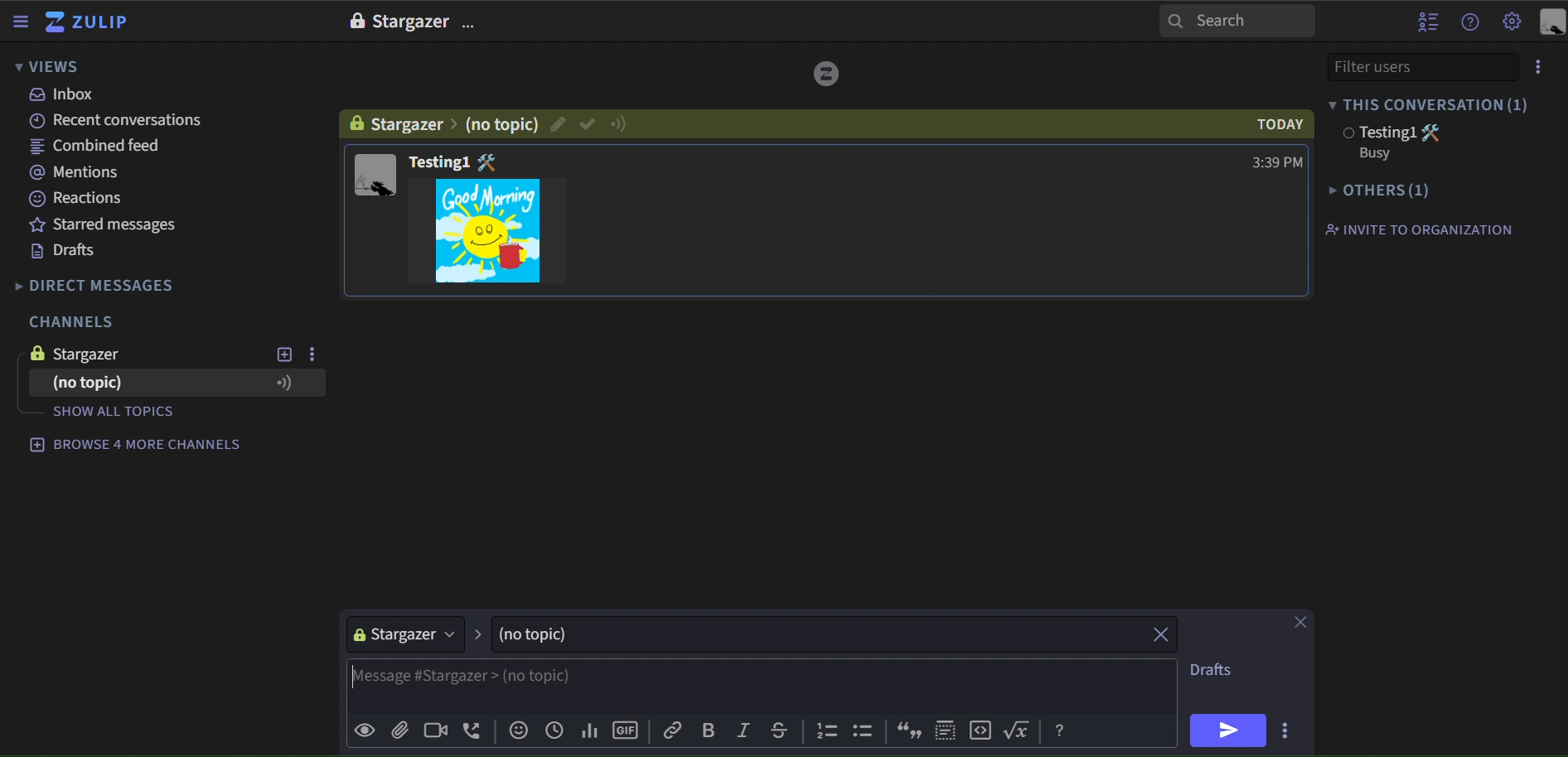 This screenshot has width=1568, height=757. What do you see at coordinates (315, 353) in the screenshot?
I see `options` at bounding box center [315, 353].